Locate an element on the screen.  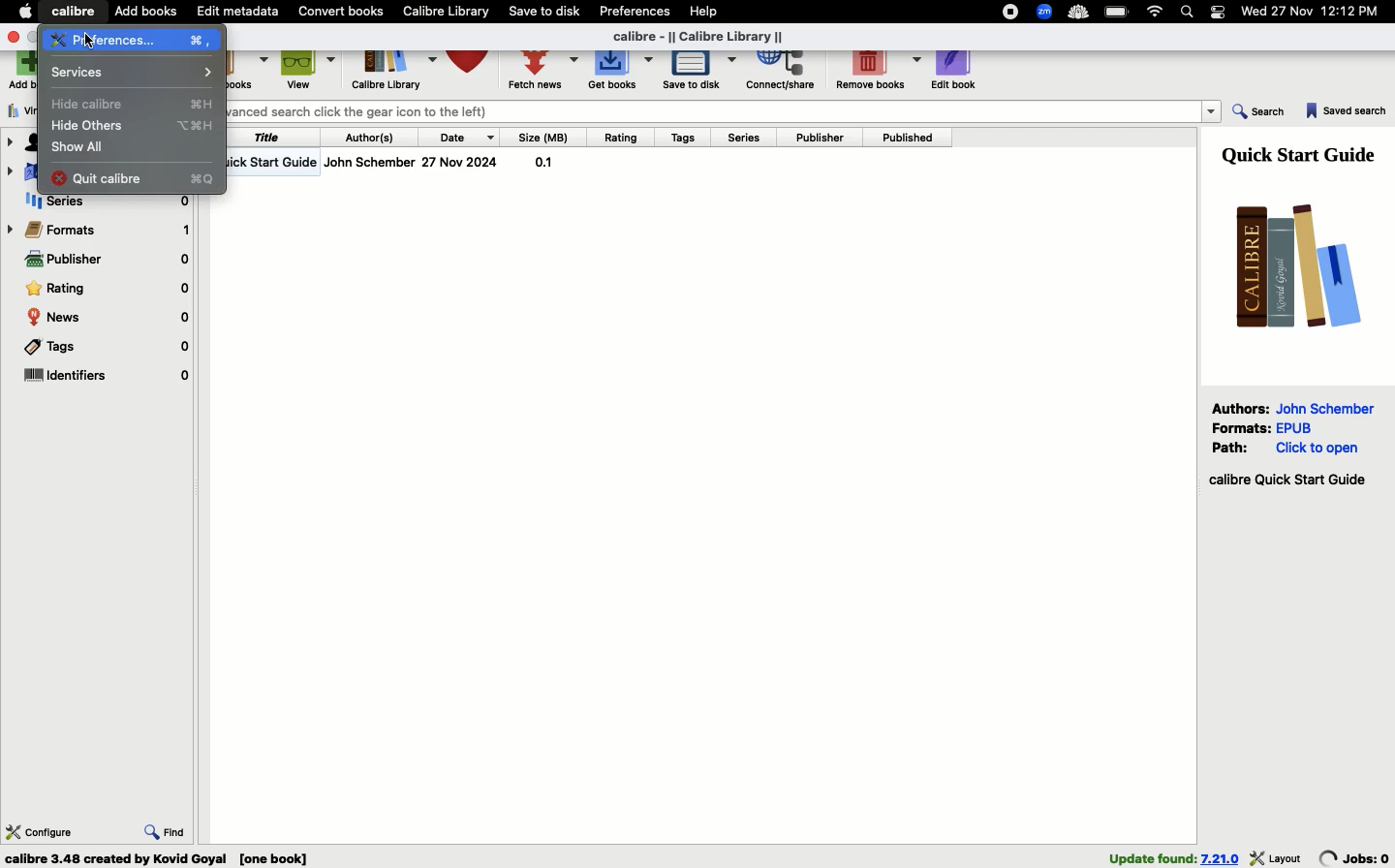
Hide calibre is located at coordinates (132, 106).